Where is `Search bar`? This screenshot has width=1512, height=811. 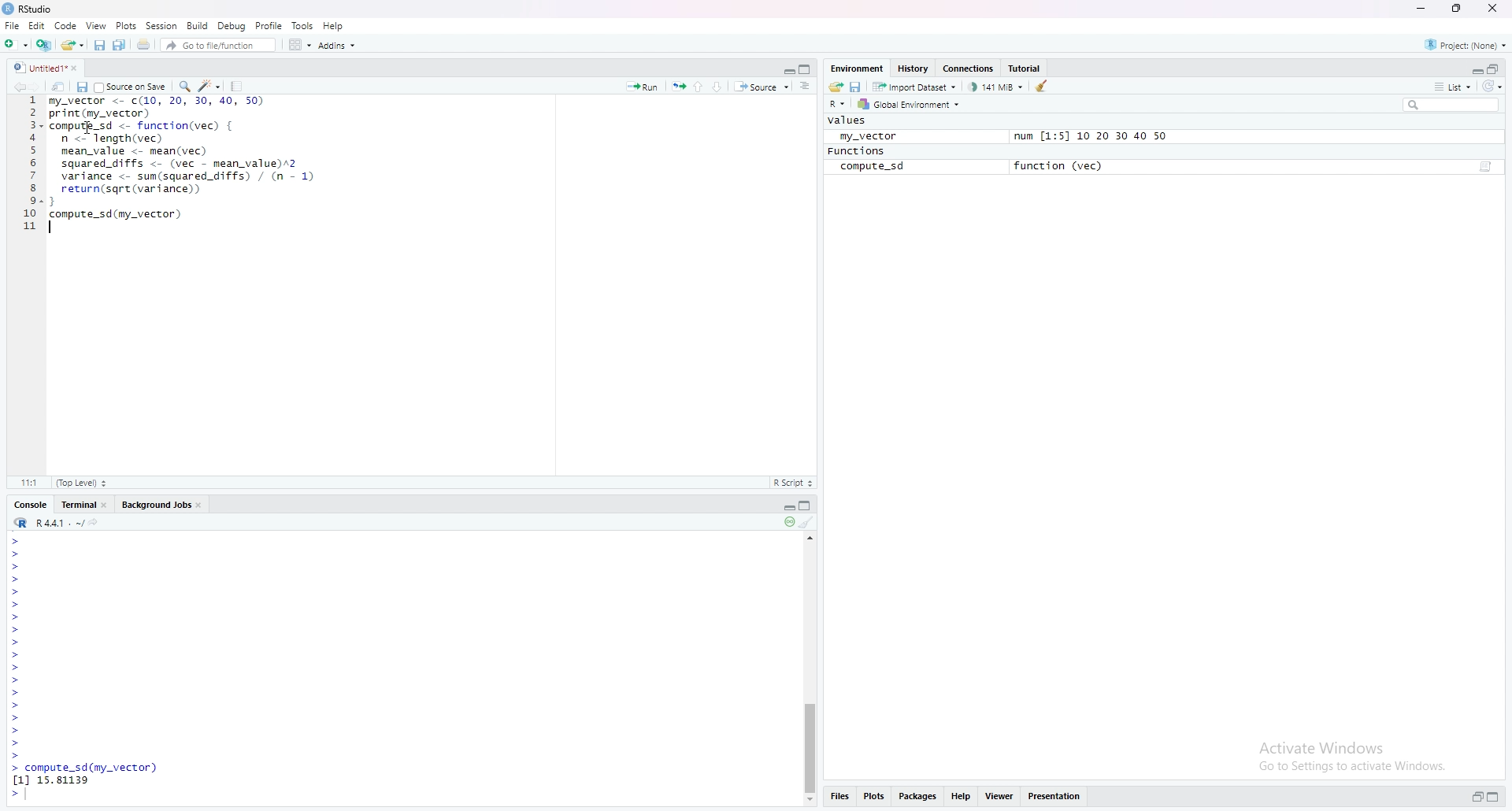 Search bar is located at coordinates (1456, 104).